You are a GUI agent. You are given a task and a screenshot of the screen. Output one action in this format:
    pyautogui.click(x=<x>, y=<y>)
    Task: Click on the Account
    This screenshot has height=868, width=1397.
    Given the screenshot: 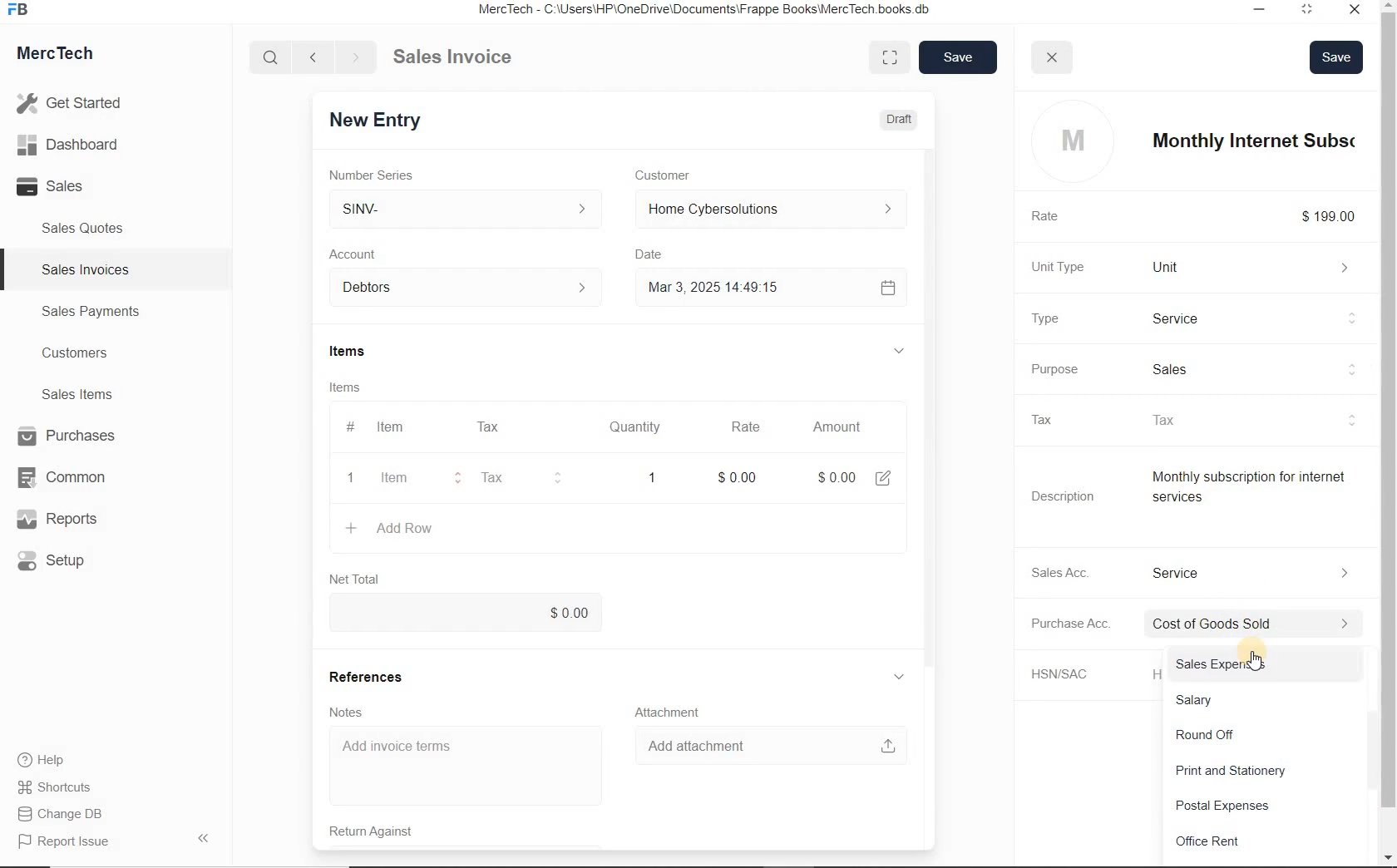 What is the action you would take?
    pyautogui.click(x=367, y=254)
    